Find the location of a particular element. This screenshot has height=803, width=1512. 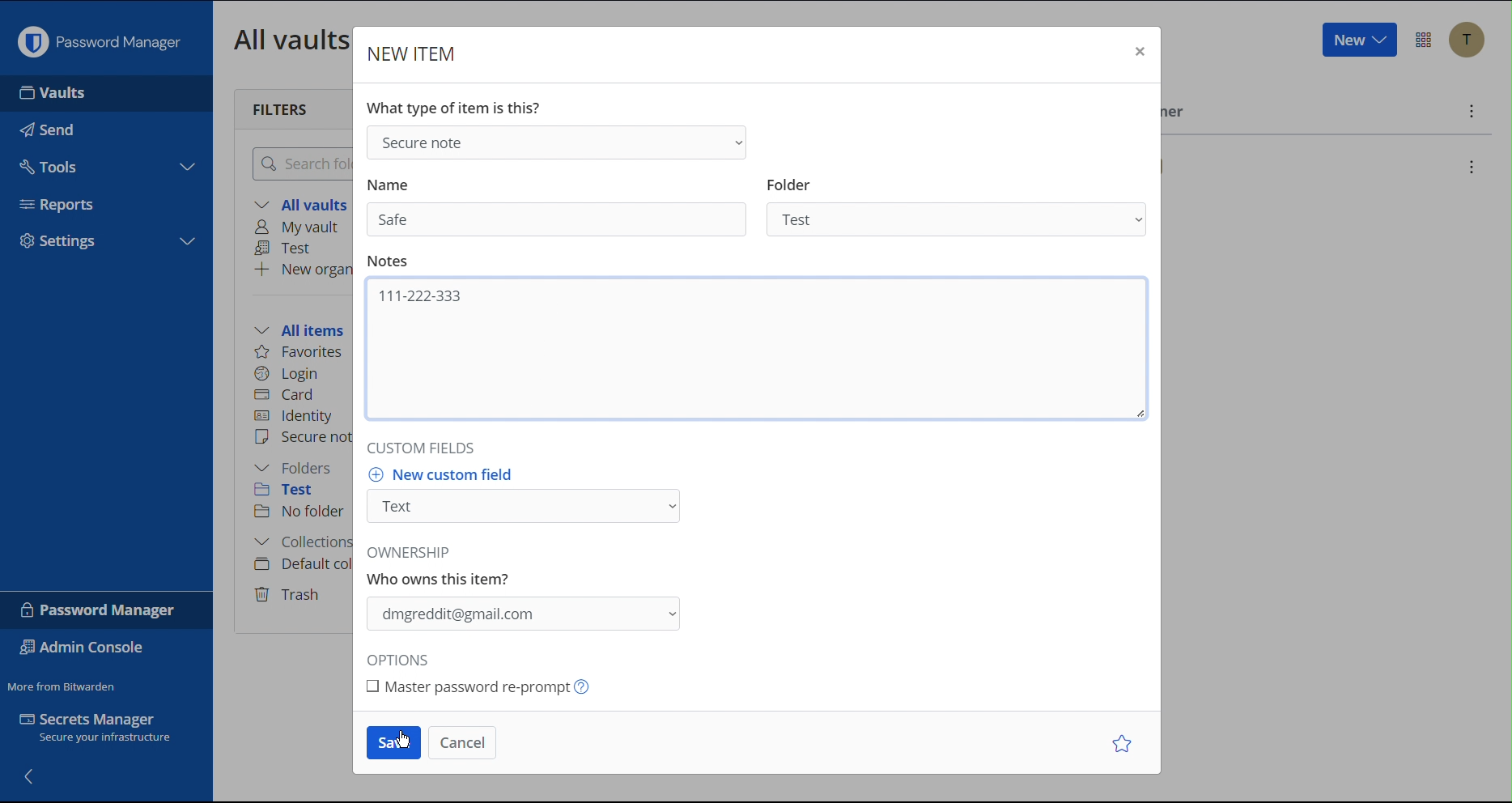

New custom Field is located at coordinates (529, 499).